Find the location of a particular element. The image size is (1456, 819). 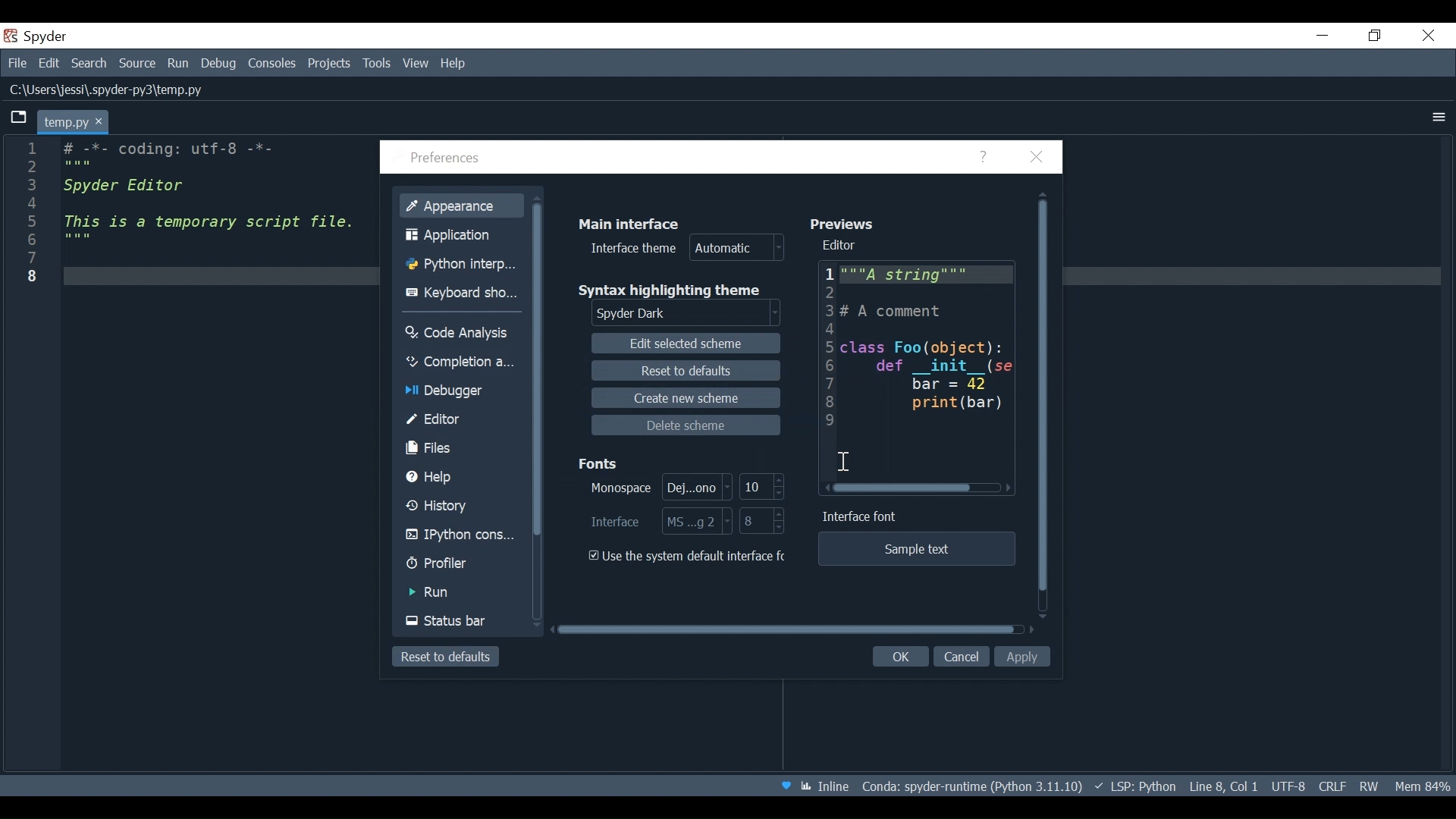

Insertion cursor is located at coordinates (844, 463).